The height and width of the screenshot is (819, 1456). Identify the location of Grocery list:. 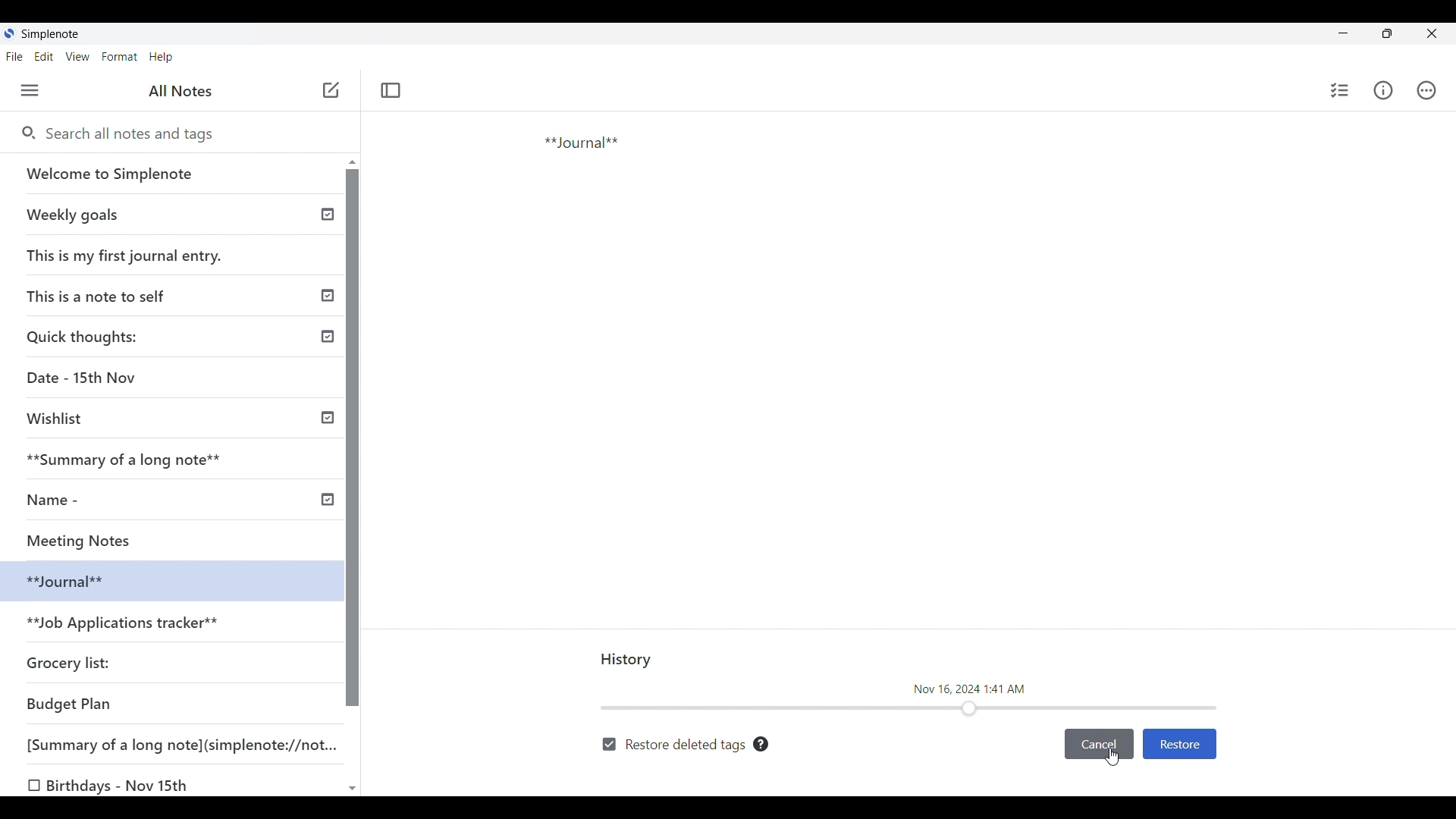
(71, 661).